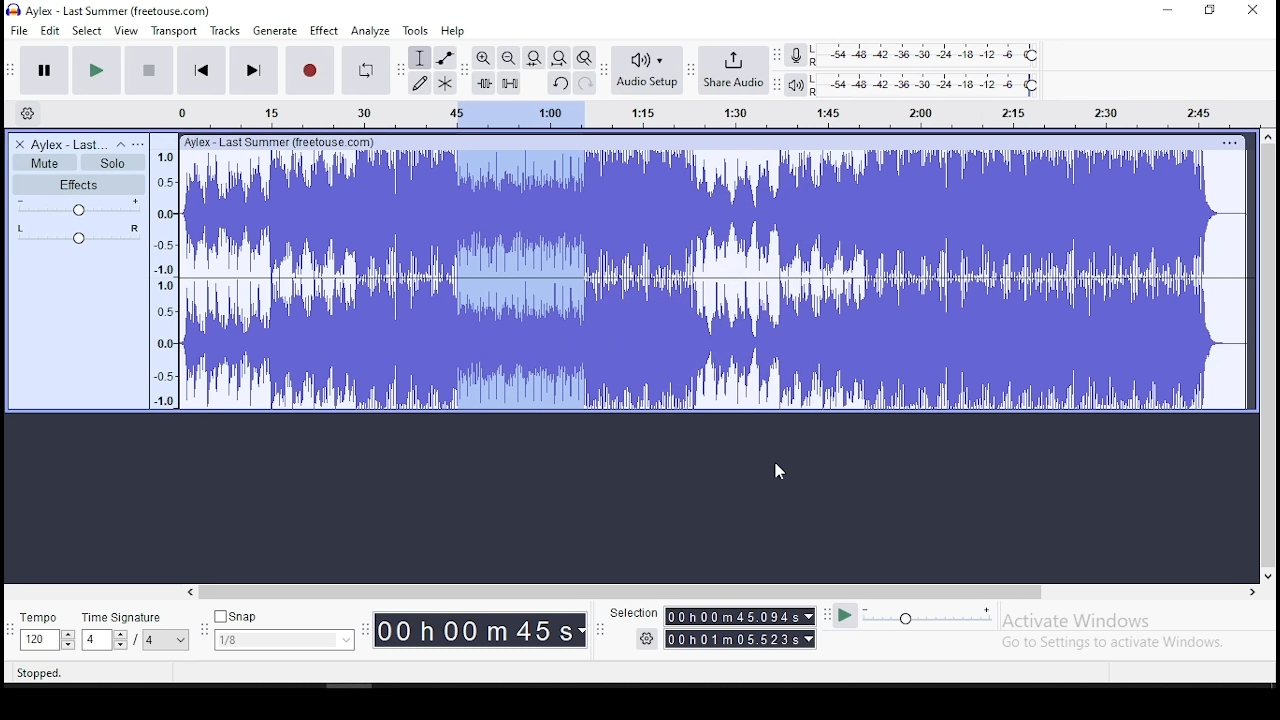  Describe the element at coordinates (477, 628) in the screenshot. I see `00h 00m 00 s` at that location.